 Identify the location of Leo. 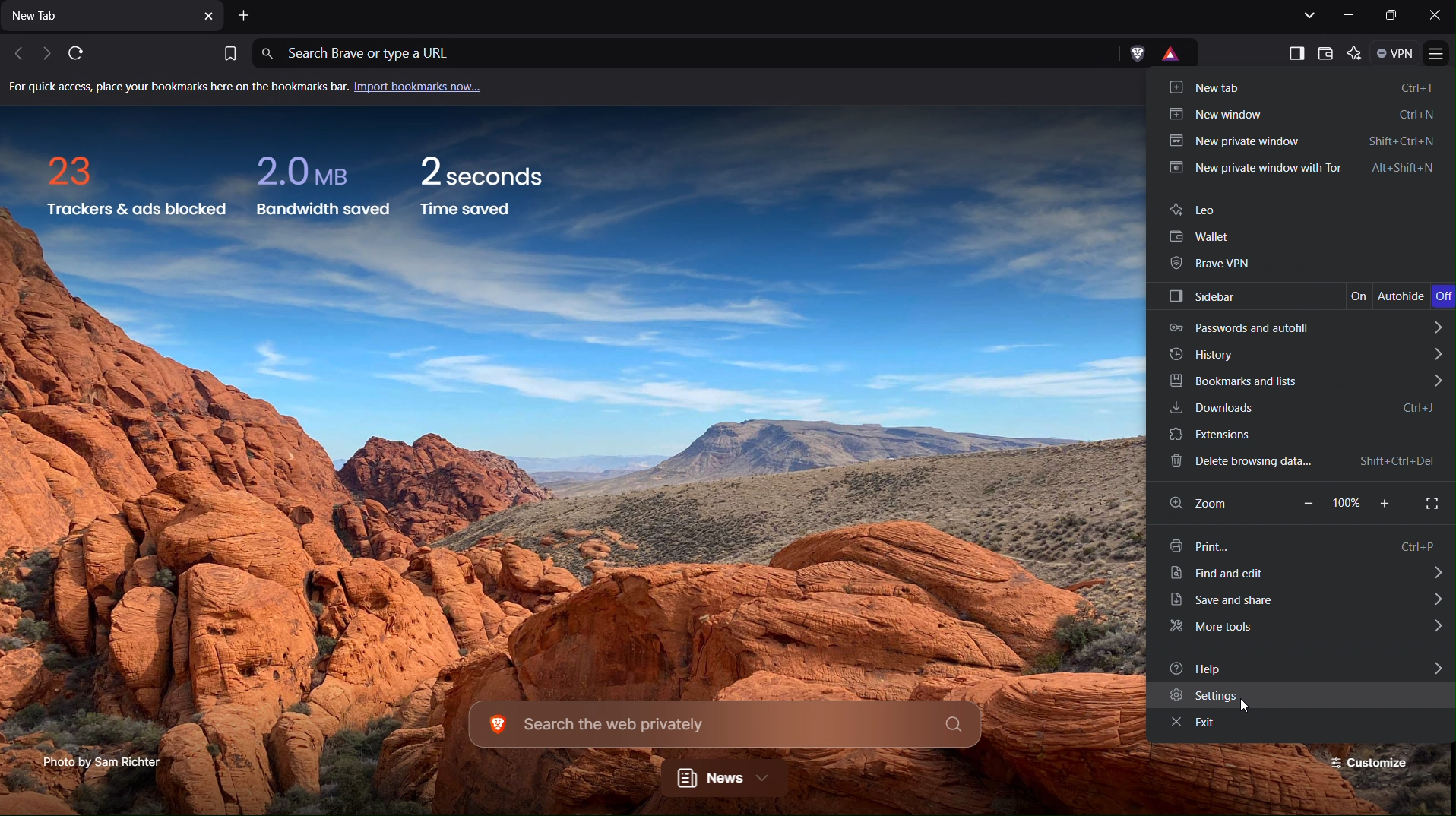
(1300, 210).